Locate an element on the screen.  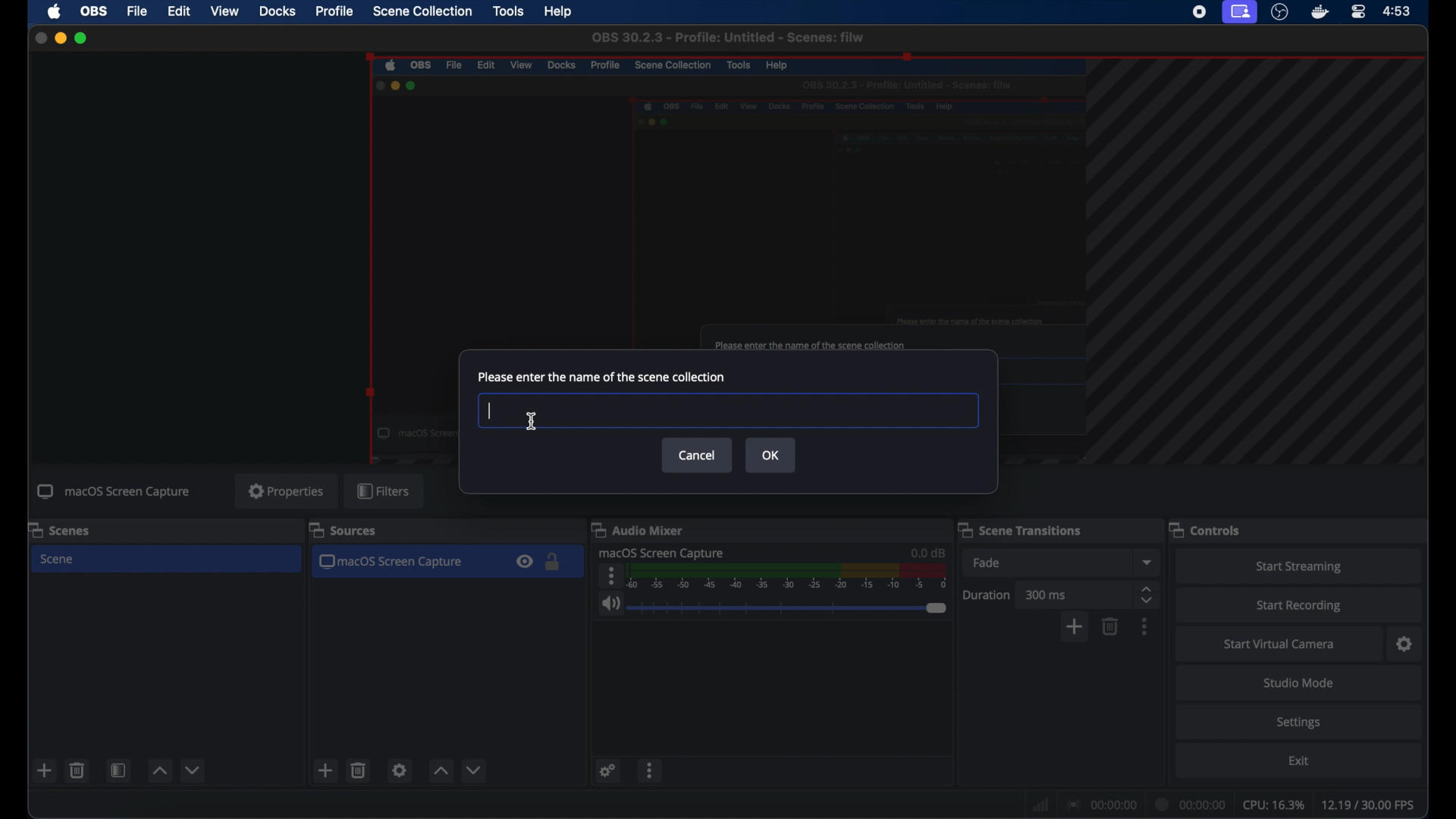
OBS 30.2.3 - Profile: Untitled -Scenes : filw is located at coordinates (727, 37).